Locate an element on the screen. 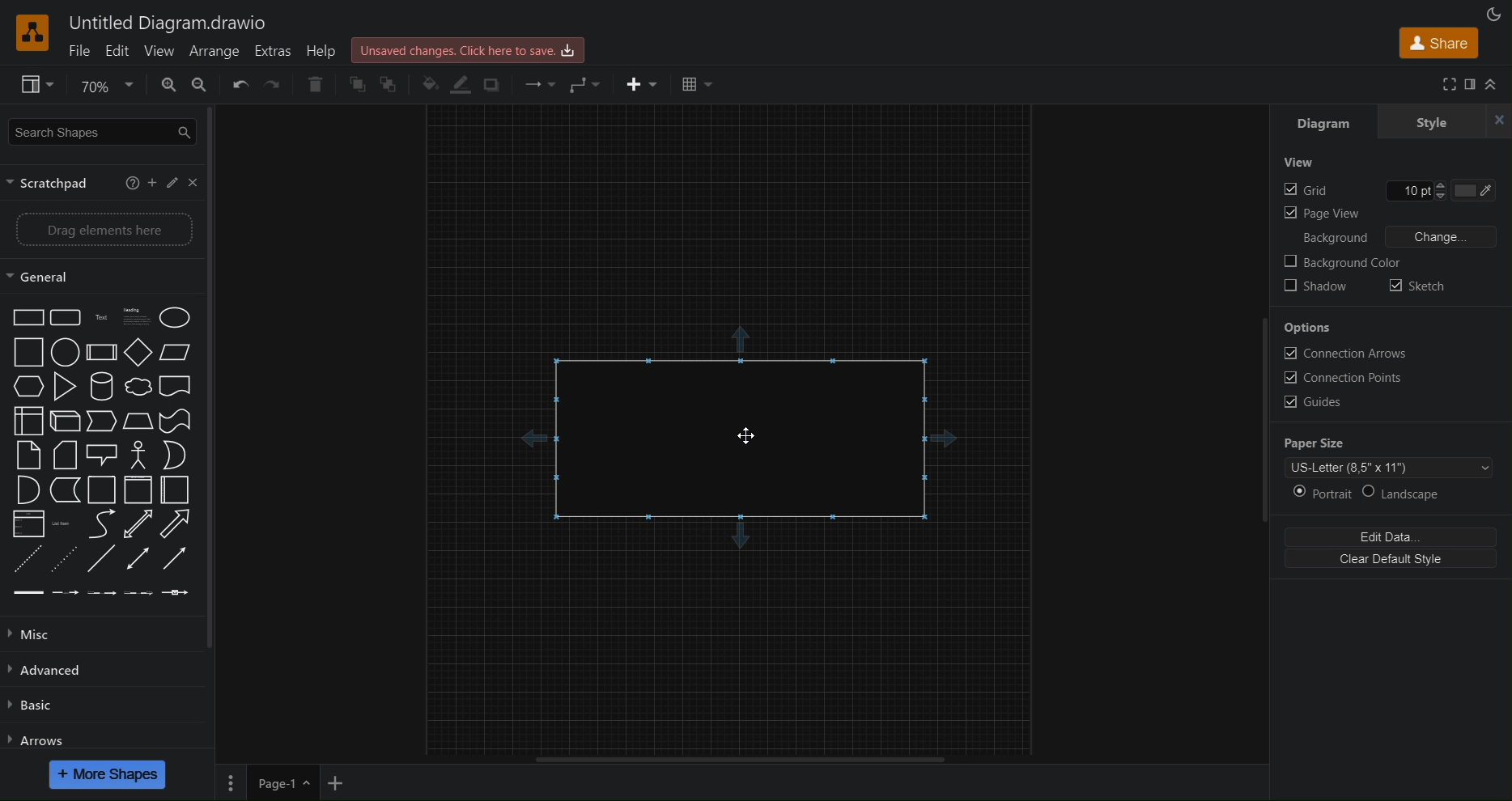  Unsaved Changes. Click here to save is located at coordinates (471, 47).